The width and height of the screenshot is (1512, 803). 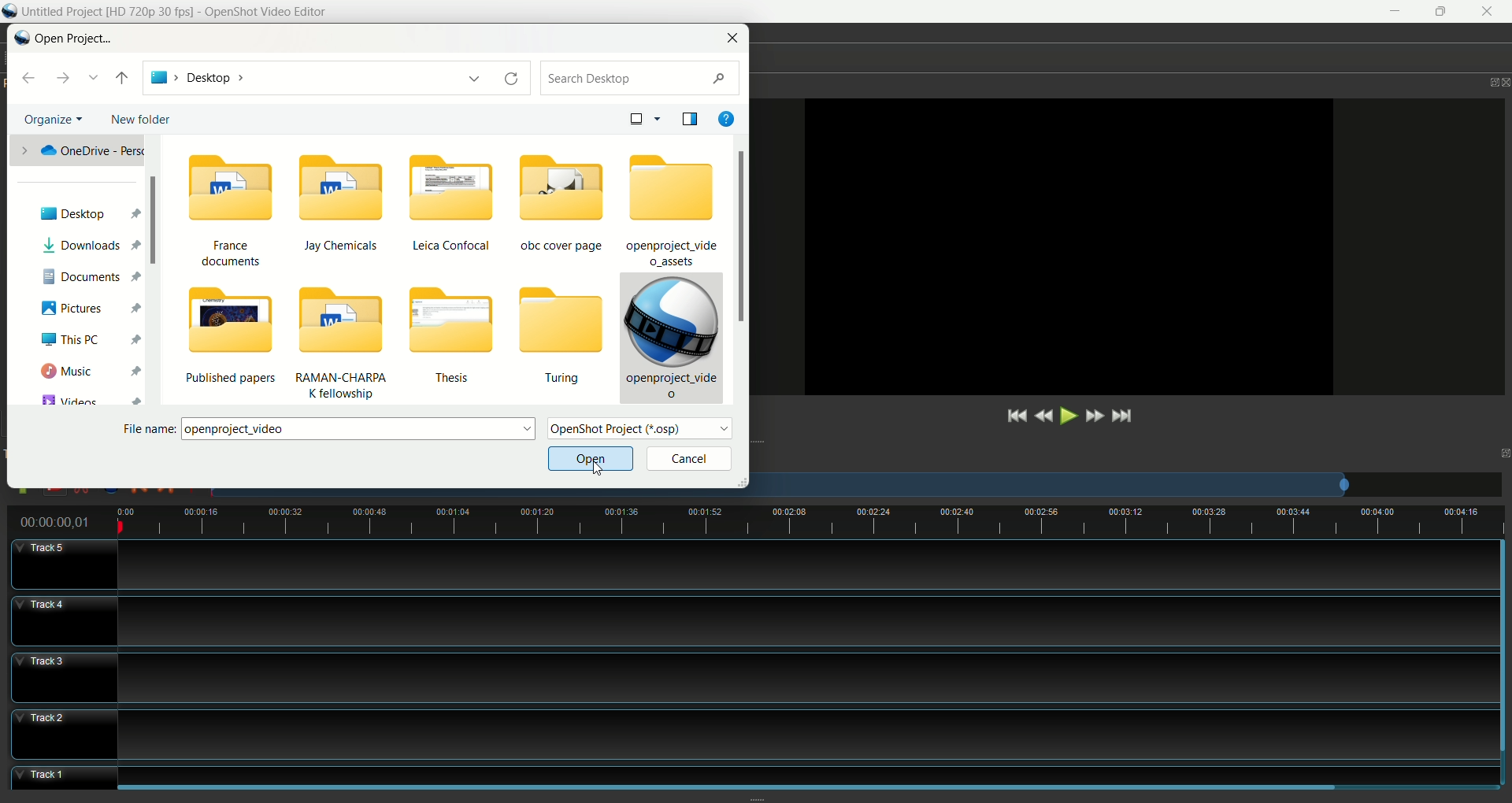 I want to click on Published papers, so click(x=233, y=342).